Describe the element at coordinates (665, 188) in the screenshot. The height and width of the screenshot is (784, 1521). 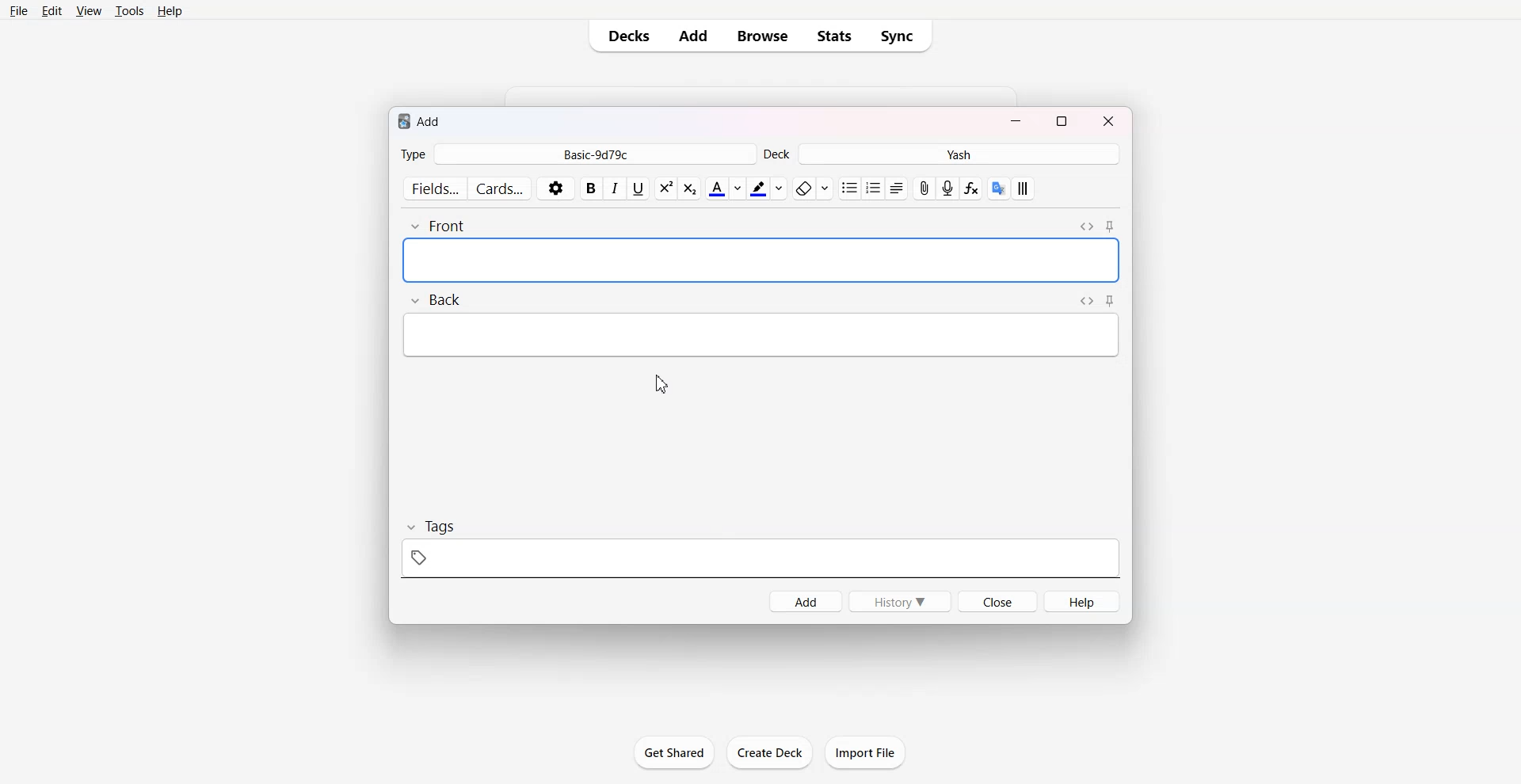
I see `Subscript` at that location.